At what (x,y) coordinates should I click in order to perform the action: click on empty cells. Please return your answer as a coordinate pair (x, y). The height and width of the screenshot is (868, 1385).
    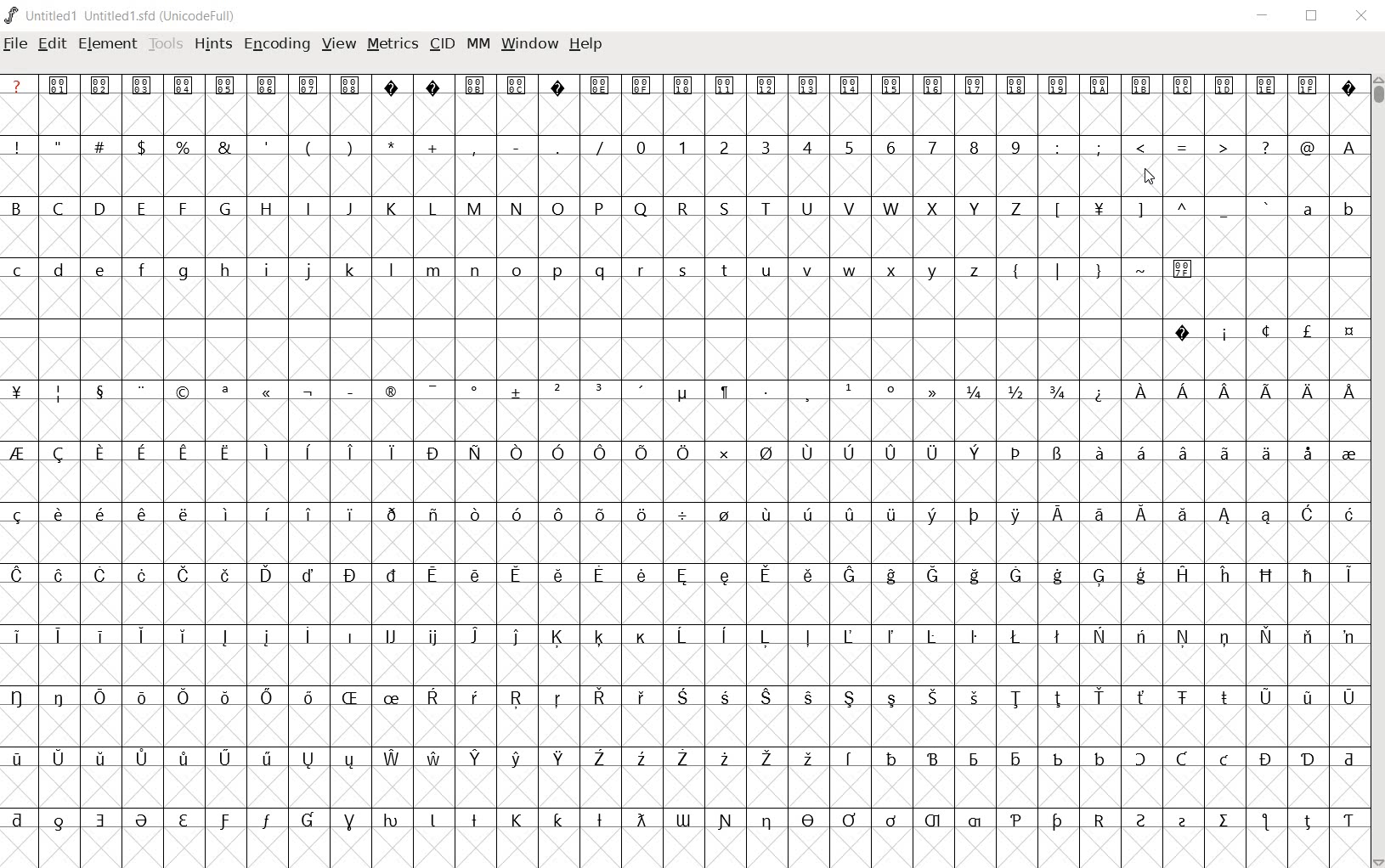
    Looking at the image, I should click on (682, 604).